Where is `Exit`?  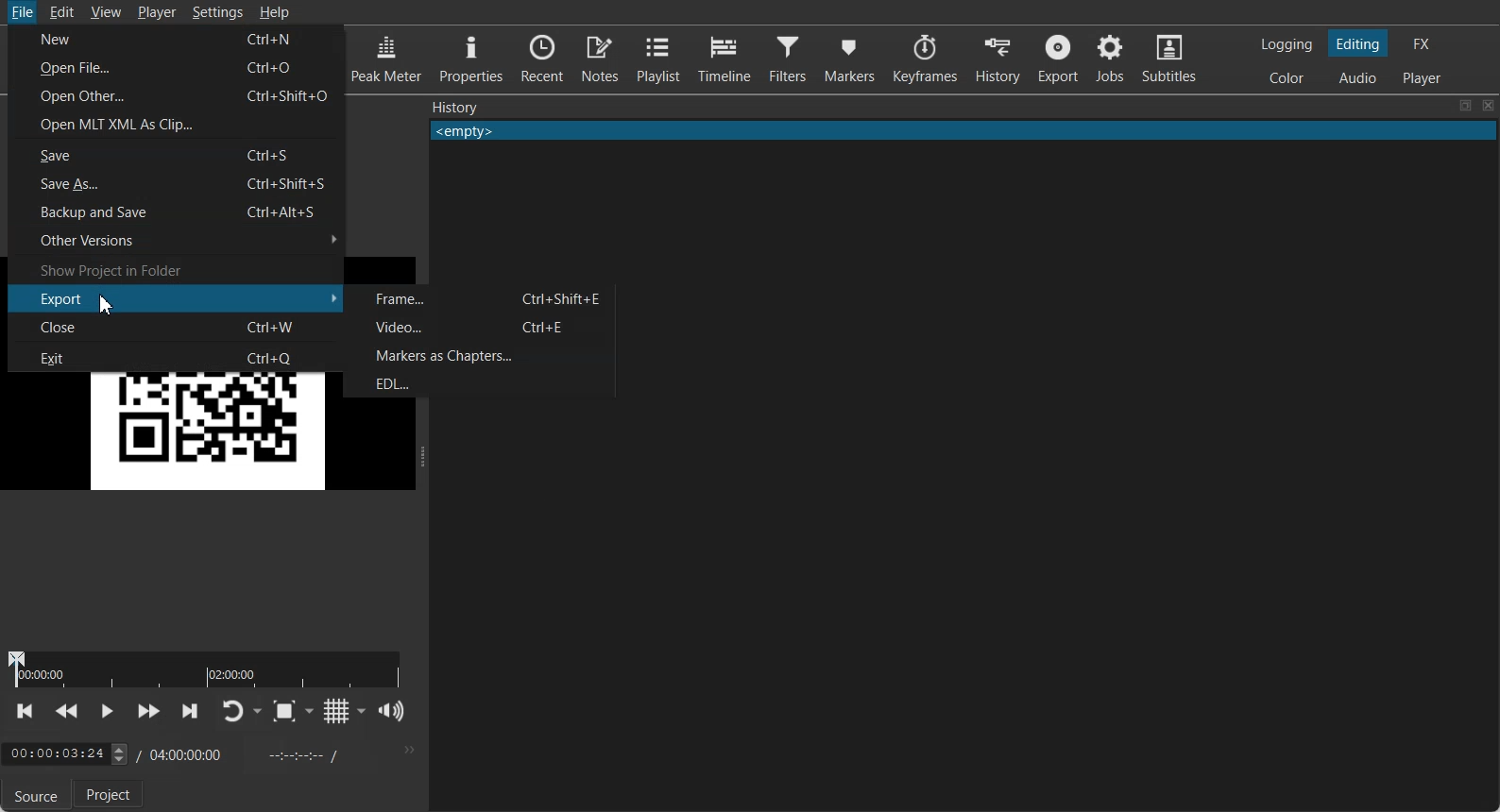
Exit is located at coordinates (104, 355).